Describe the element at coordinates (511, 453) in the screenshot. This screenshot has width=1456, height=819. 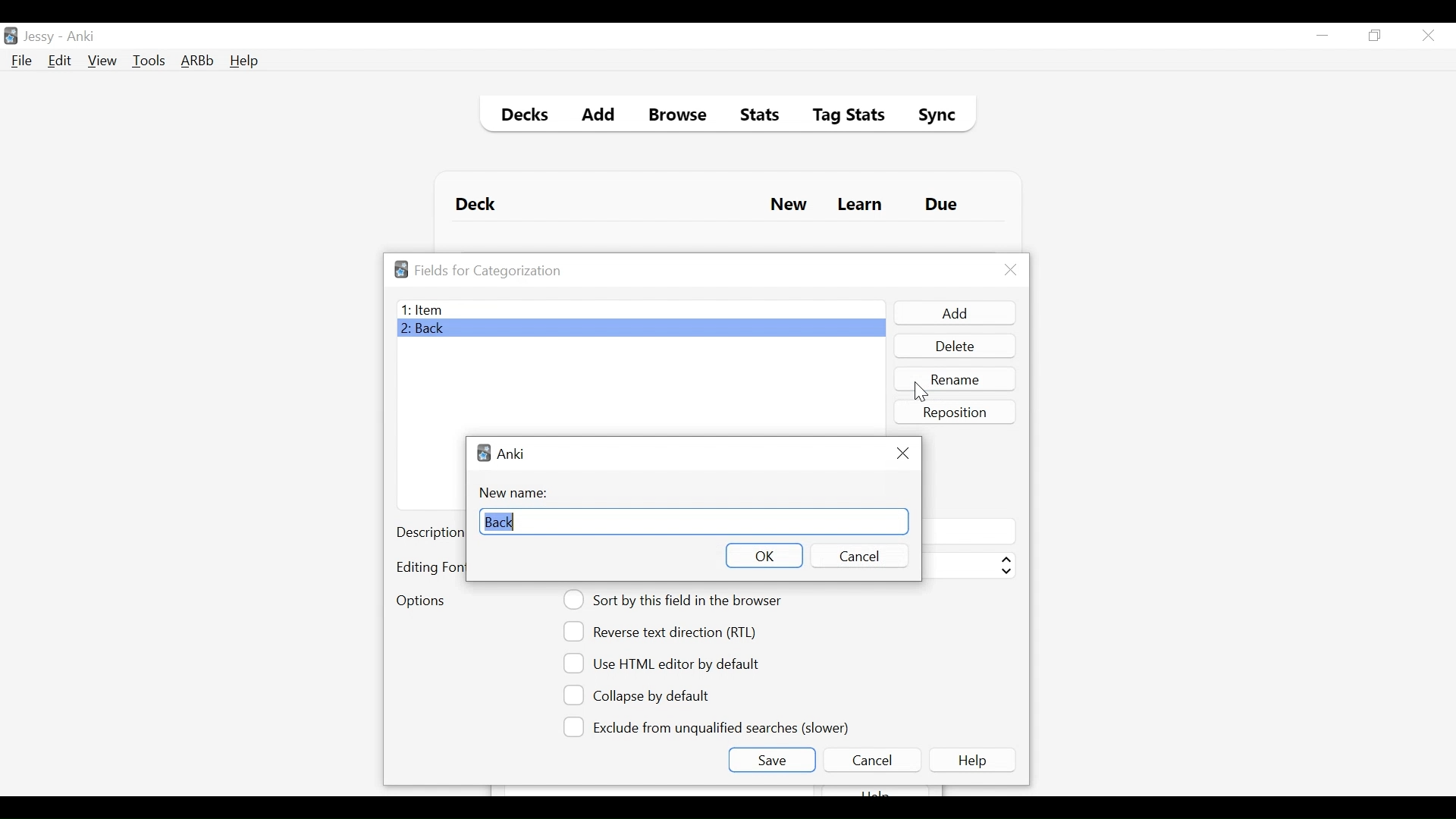
I see `Anki` at that location.